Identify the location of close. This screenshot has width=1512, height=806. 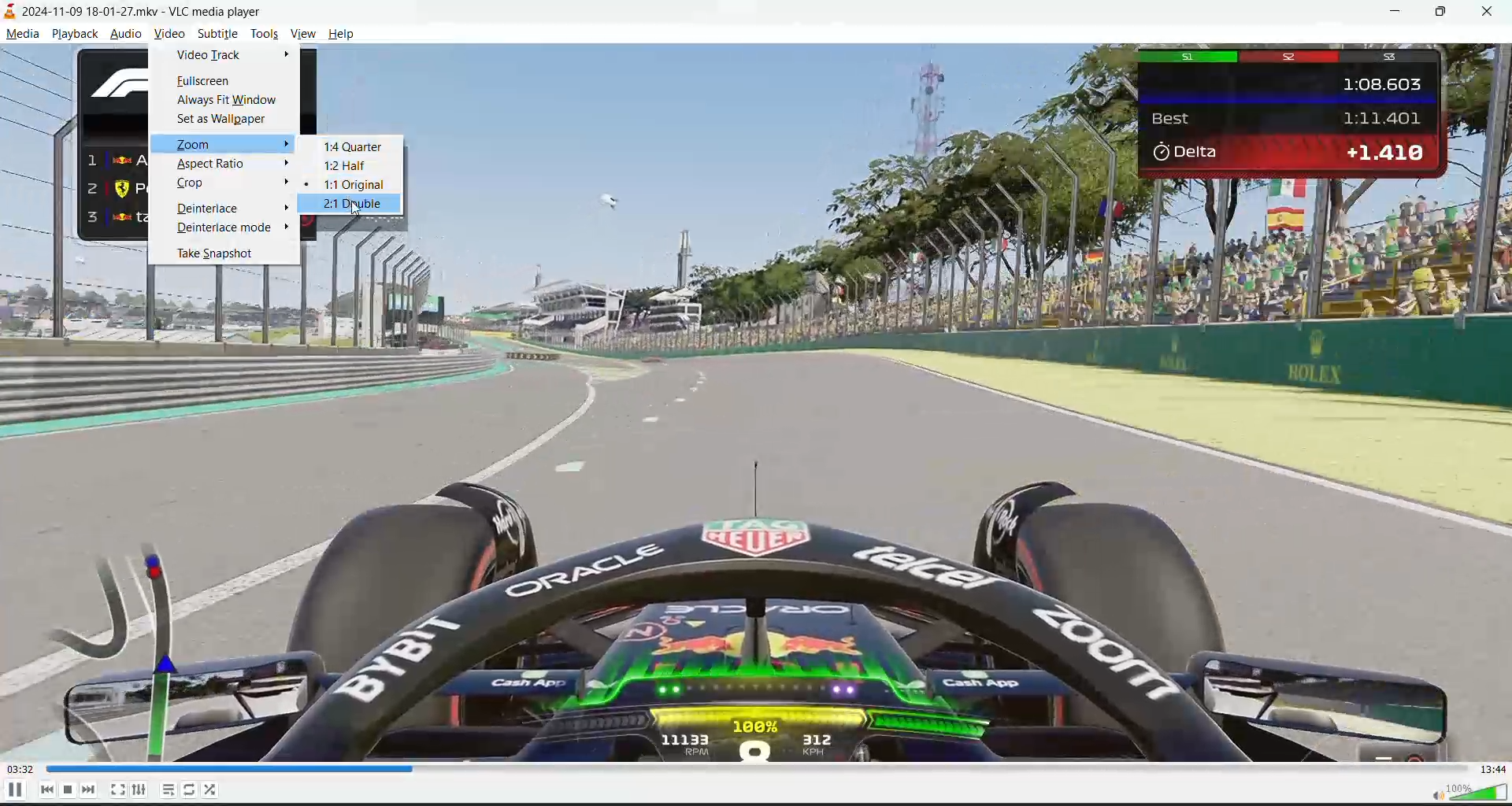
(1488, 13).